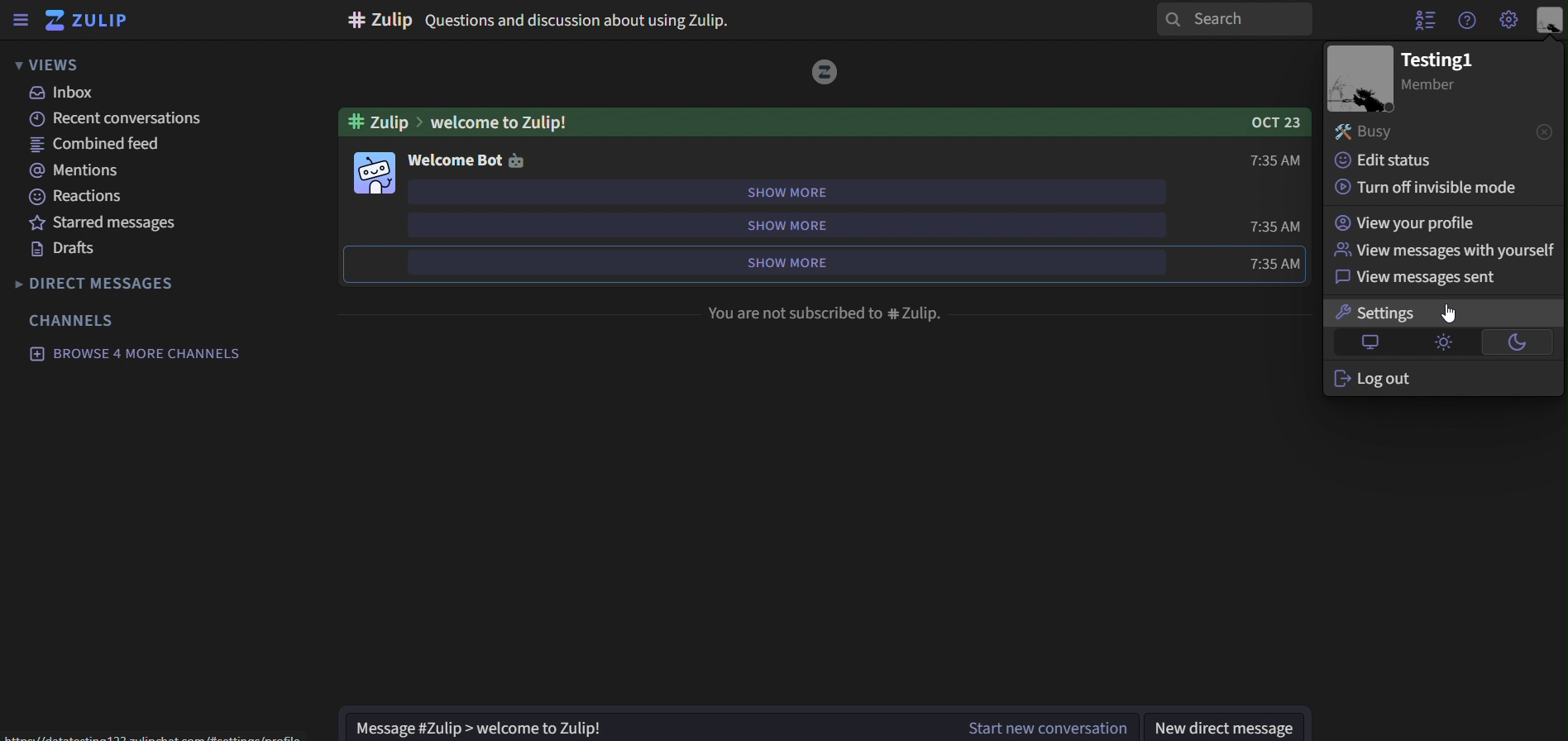 The width and height of the screenshot is (1568, 741). What do you see at coordinates (17, 22) in the screenshot?
I see `hide sidebar` at bounding box center [17, 22].